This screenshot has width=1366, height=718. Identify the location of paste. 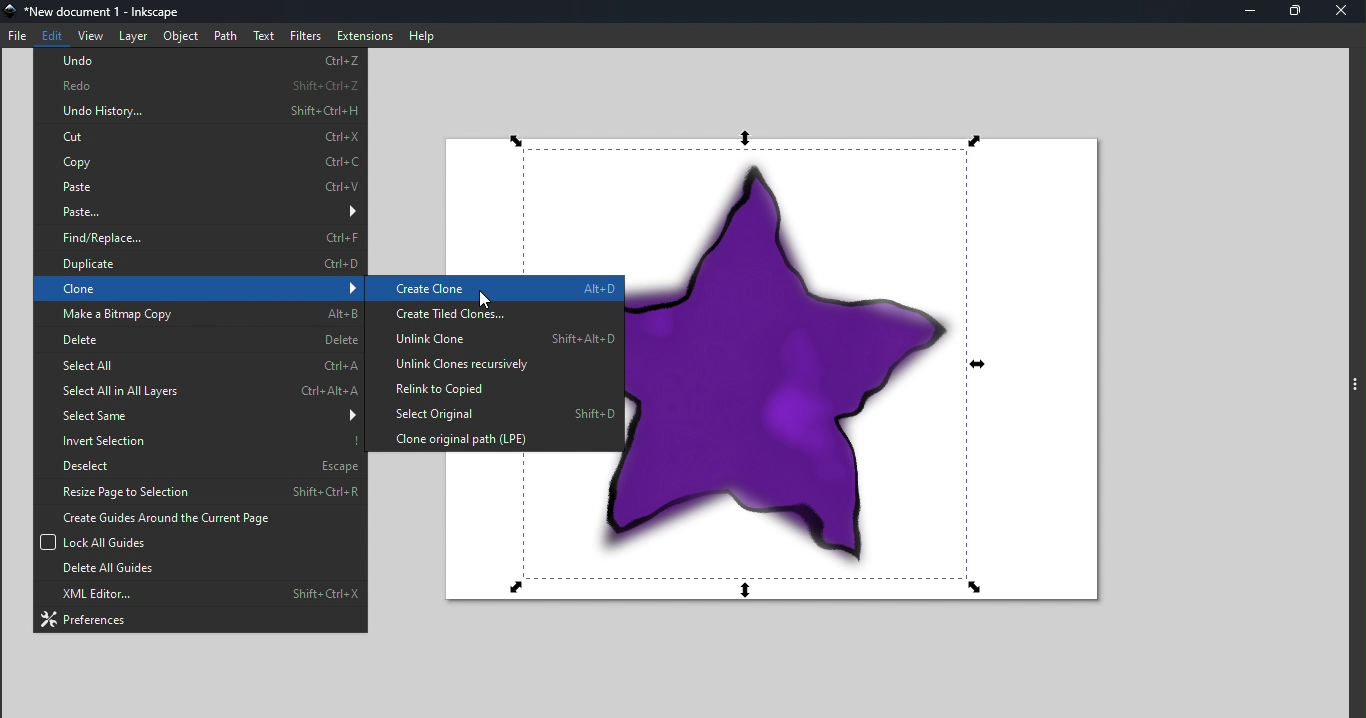
(200, 211).